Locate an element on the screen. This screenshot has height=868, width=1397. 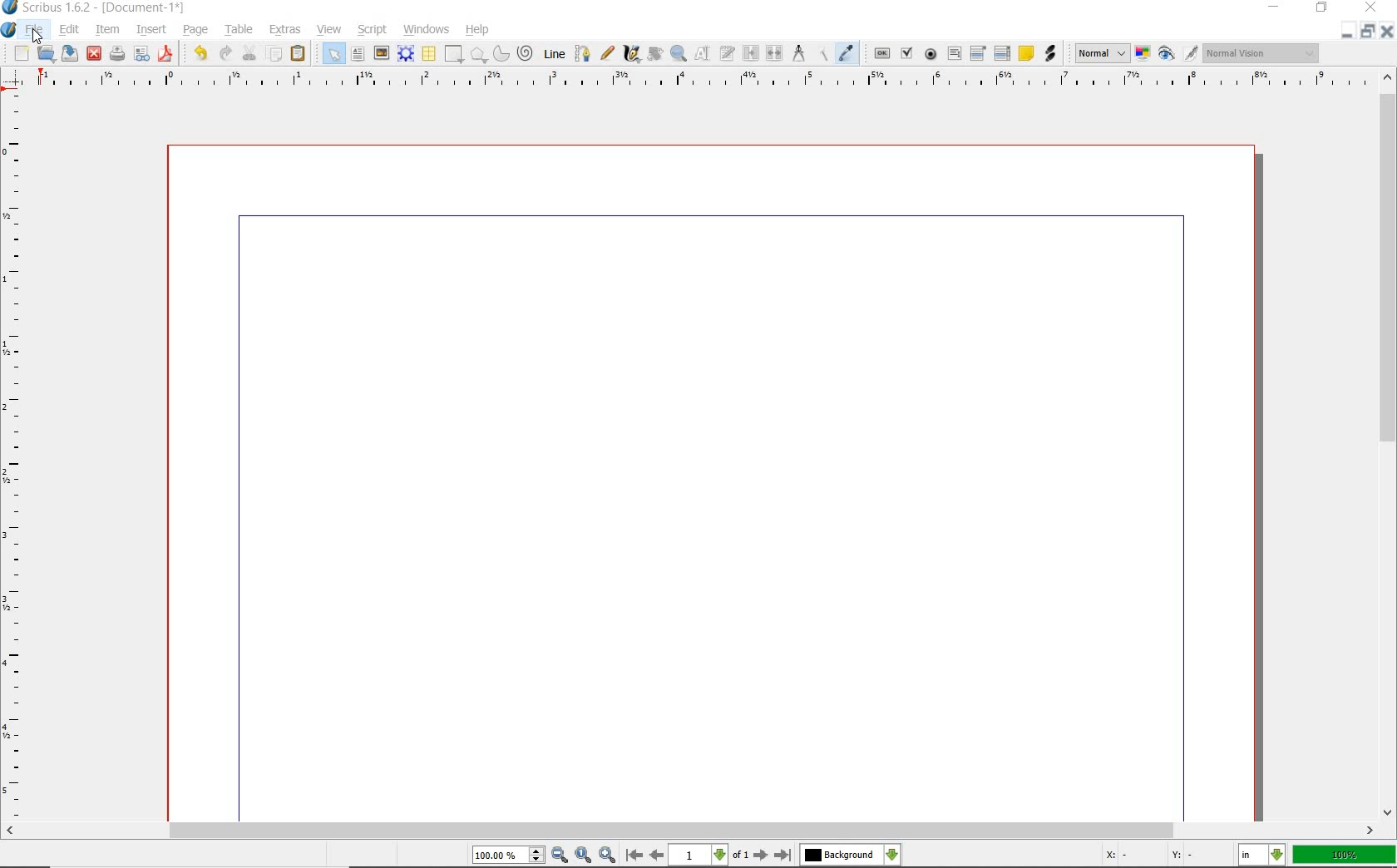
shape is located at coordinates (455, 54).